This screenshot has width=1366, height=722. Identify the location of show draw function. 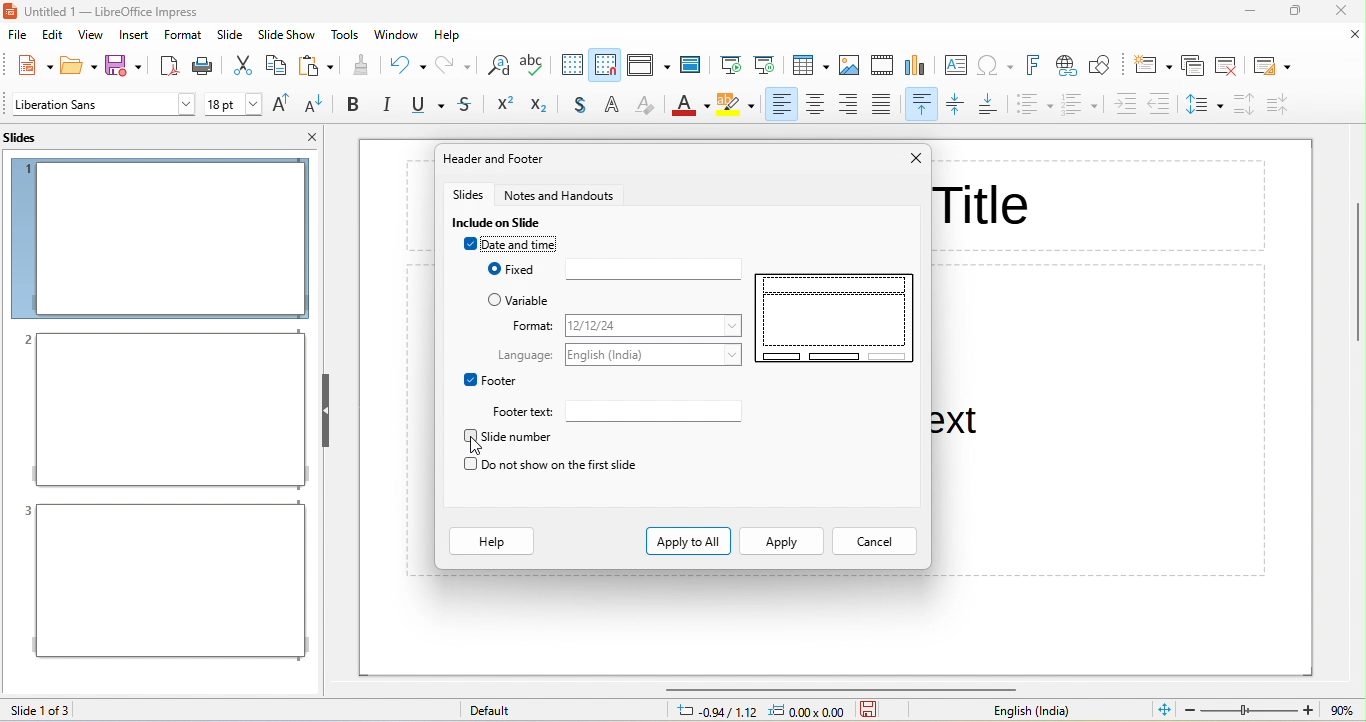
(1104, 66).